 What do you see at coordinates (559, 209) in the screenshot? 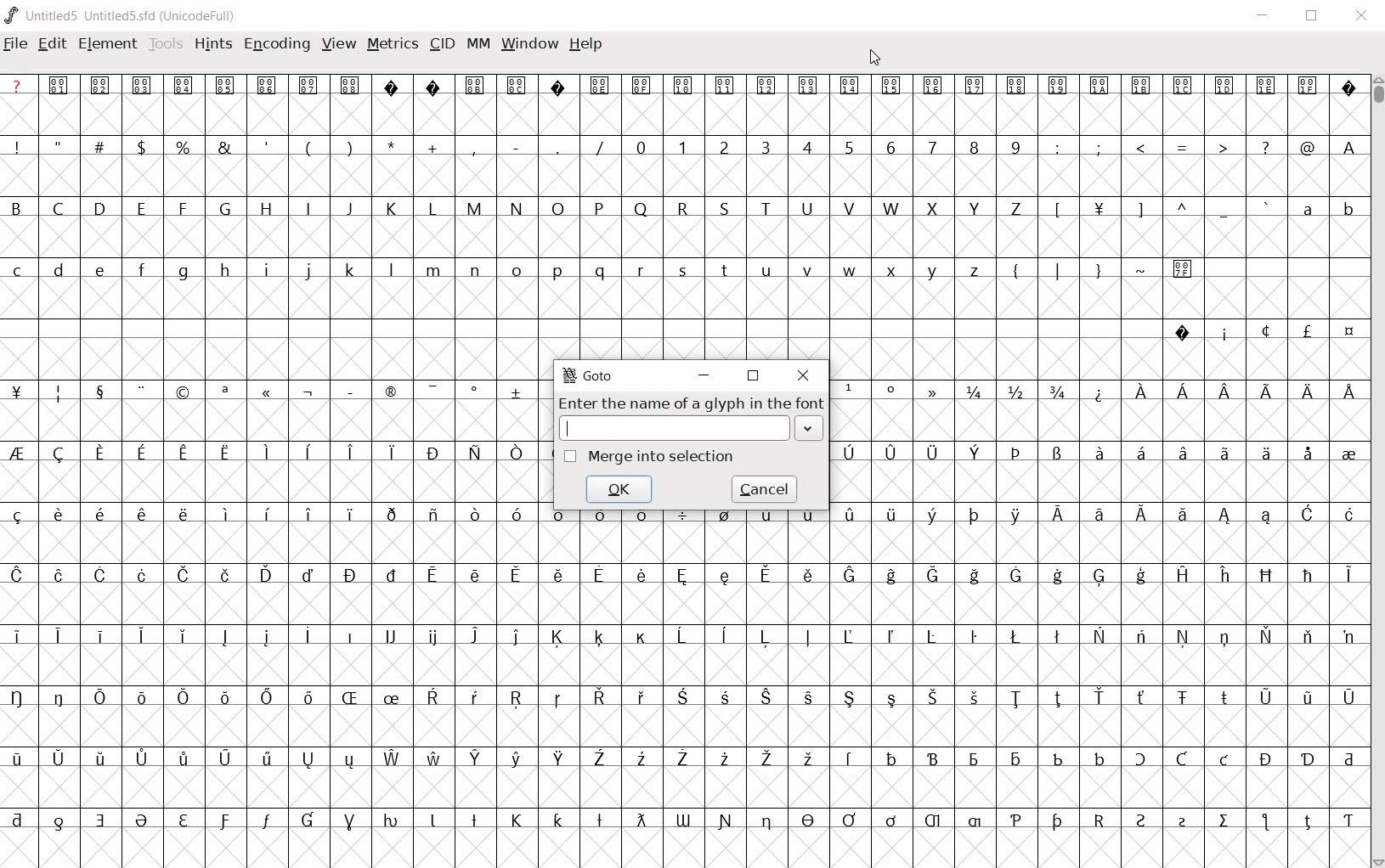
I see `O` at bounding box center [559, 209].